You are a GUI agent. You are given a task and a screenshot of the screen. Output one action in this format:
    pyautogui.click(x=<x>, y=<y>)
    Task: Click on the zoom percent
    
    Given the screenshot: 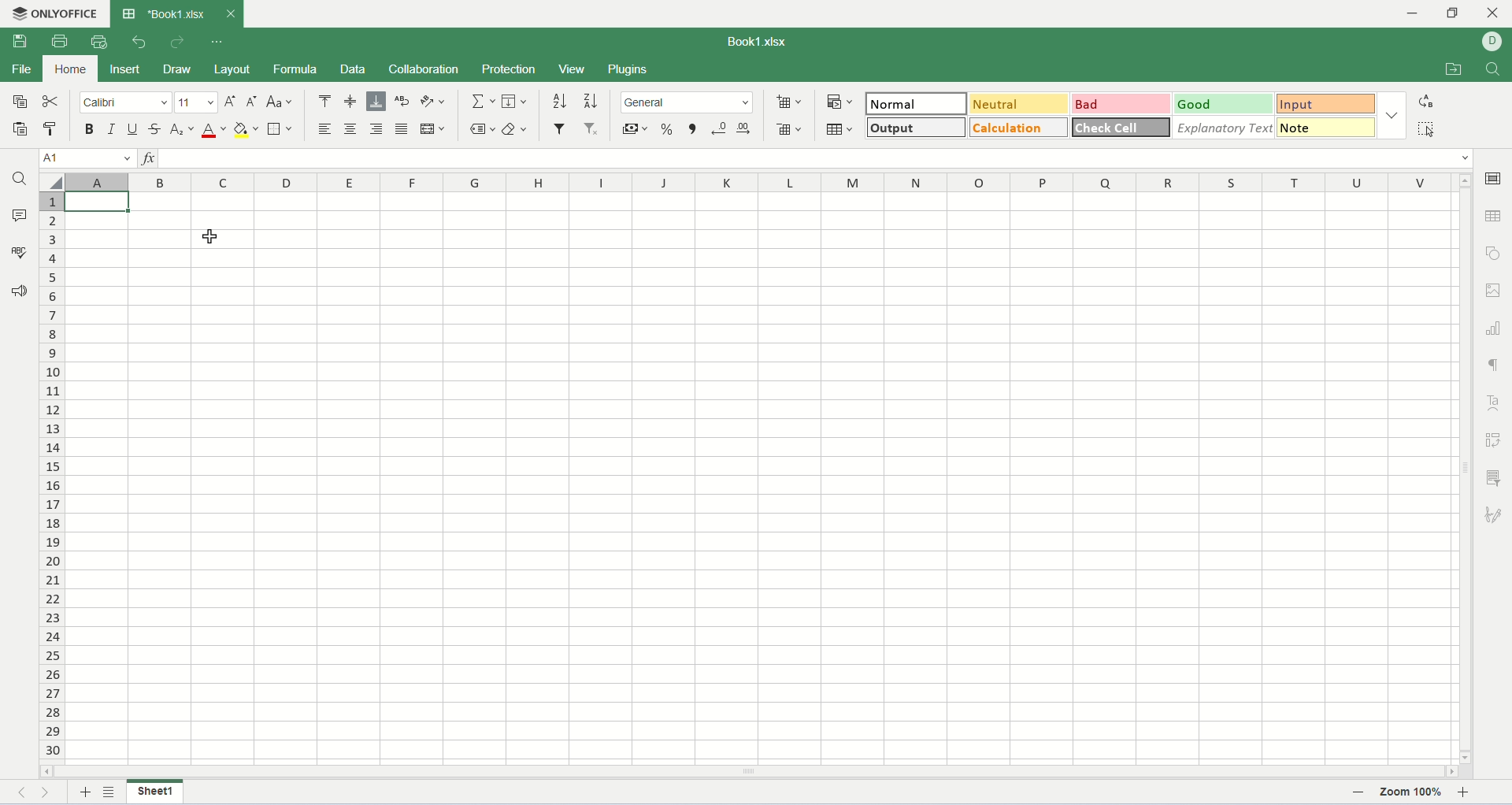 What is the action you would take?
    pyautogui.click(x=1414, y=793)
    